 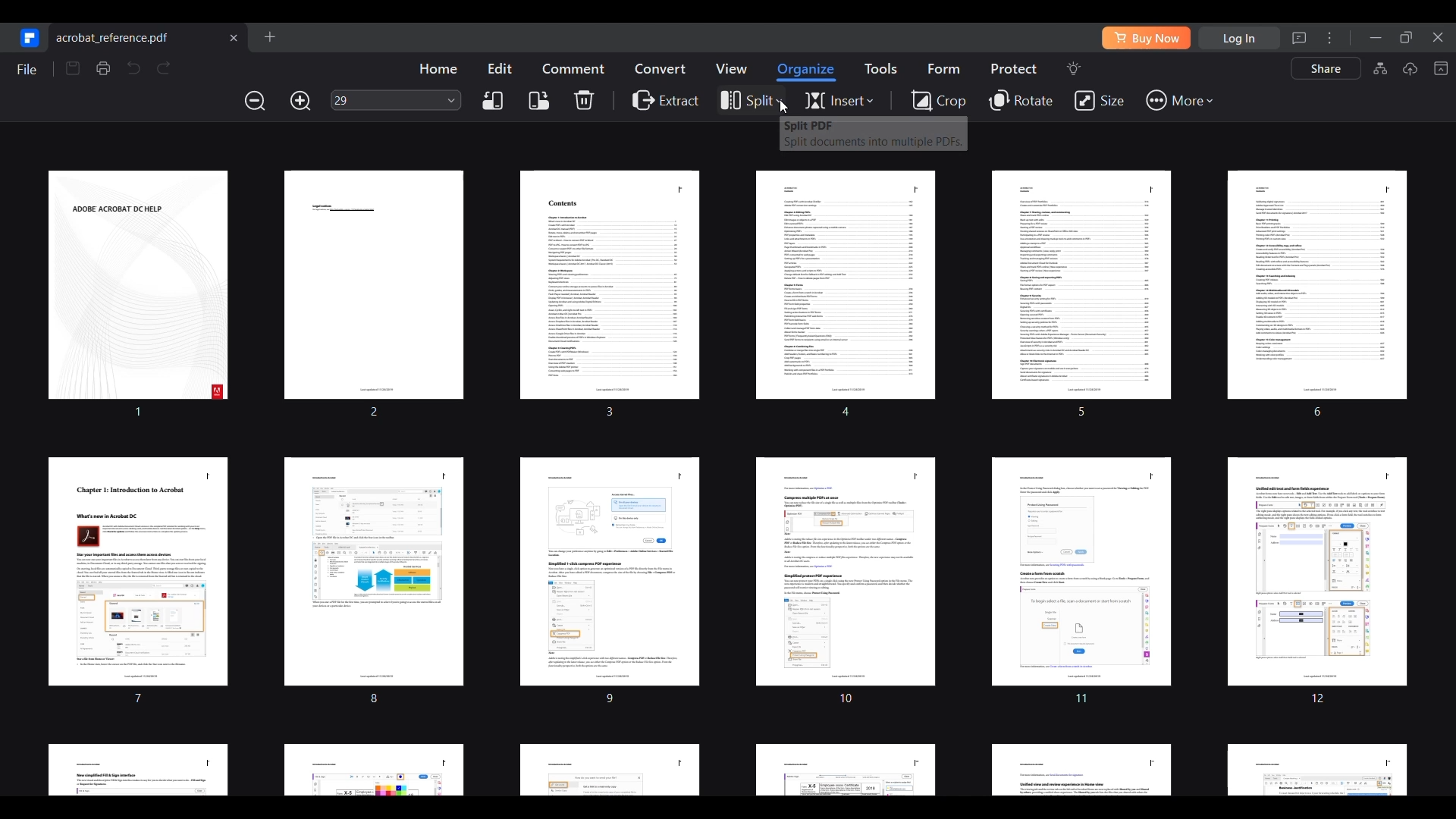 What do you see at coordinates (1013, 68) in the screenshot?
I see `Protect` at bounding box center [1013, 68].